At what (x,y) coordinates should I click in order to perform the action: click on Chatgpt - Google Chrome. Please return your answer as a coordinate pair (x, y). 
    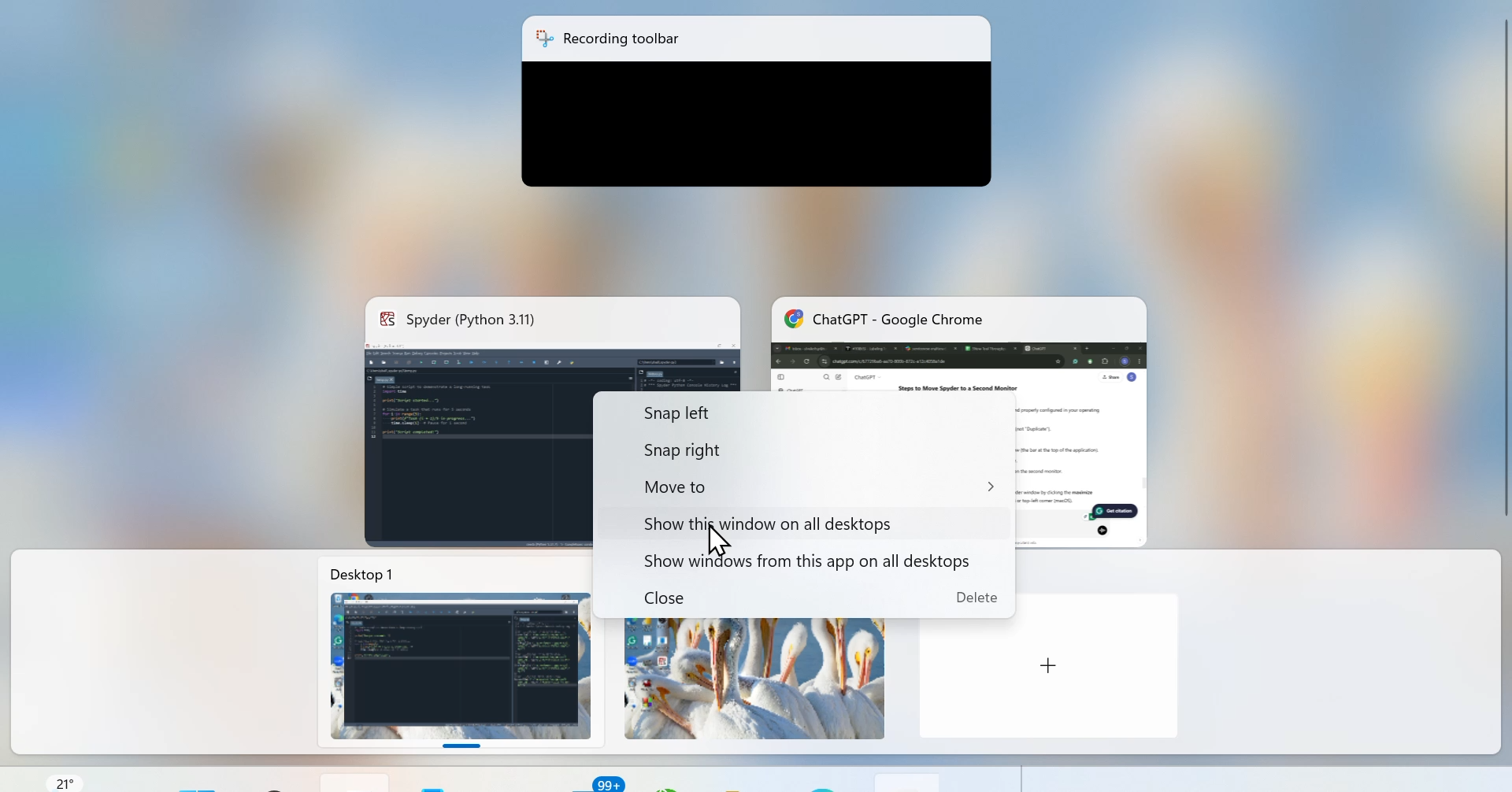
    Looking at the image, I should click on (962, 336).